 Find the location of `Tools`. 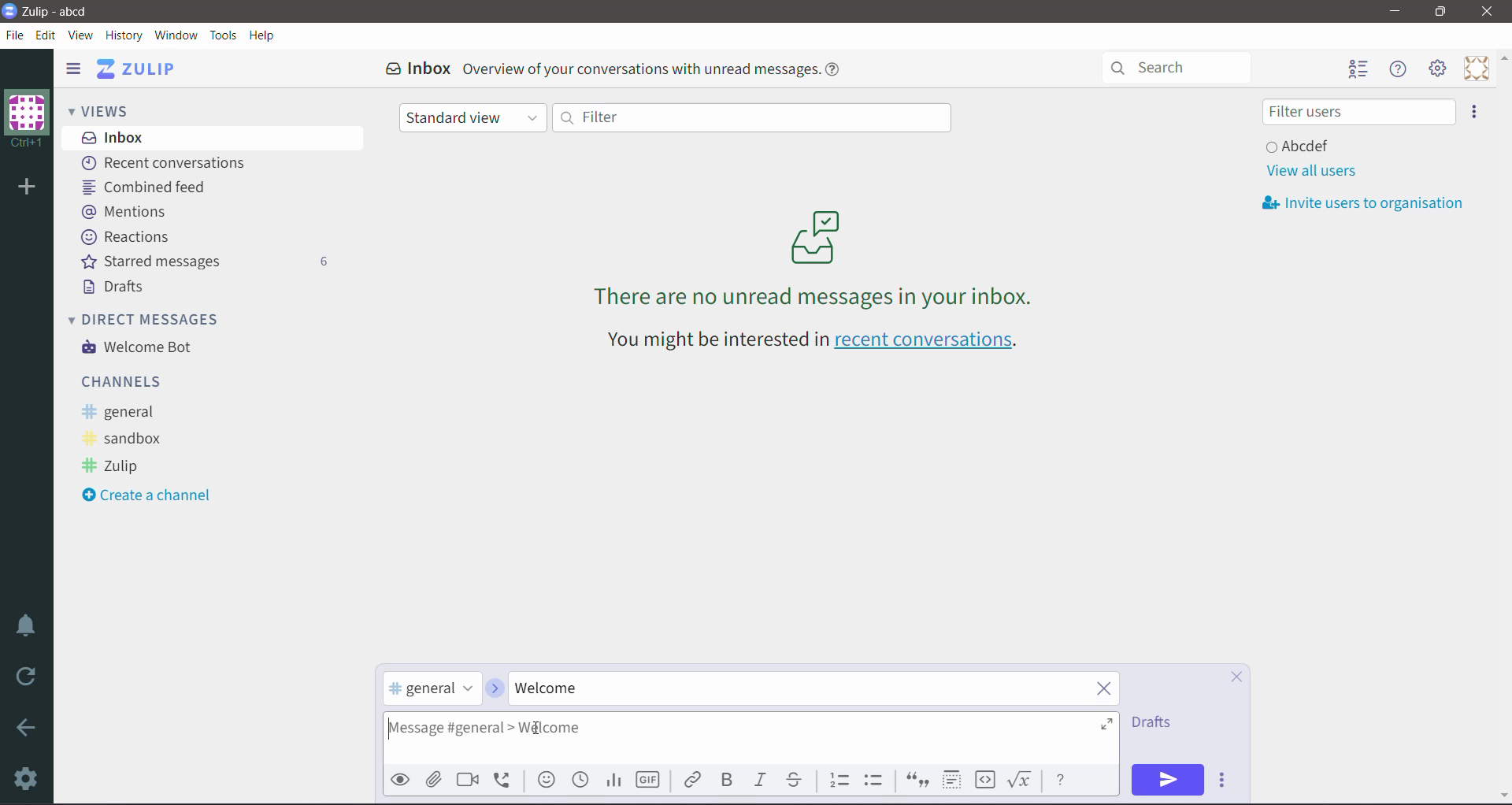

Tools is located at coordinates (224, 35).